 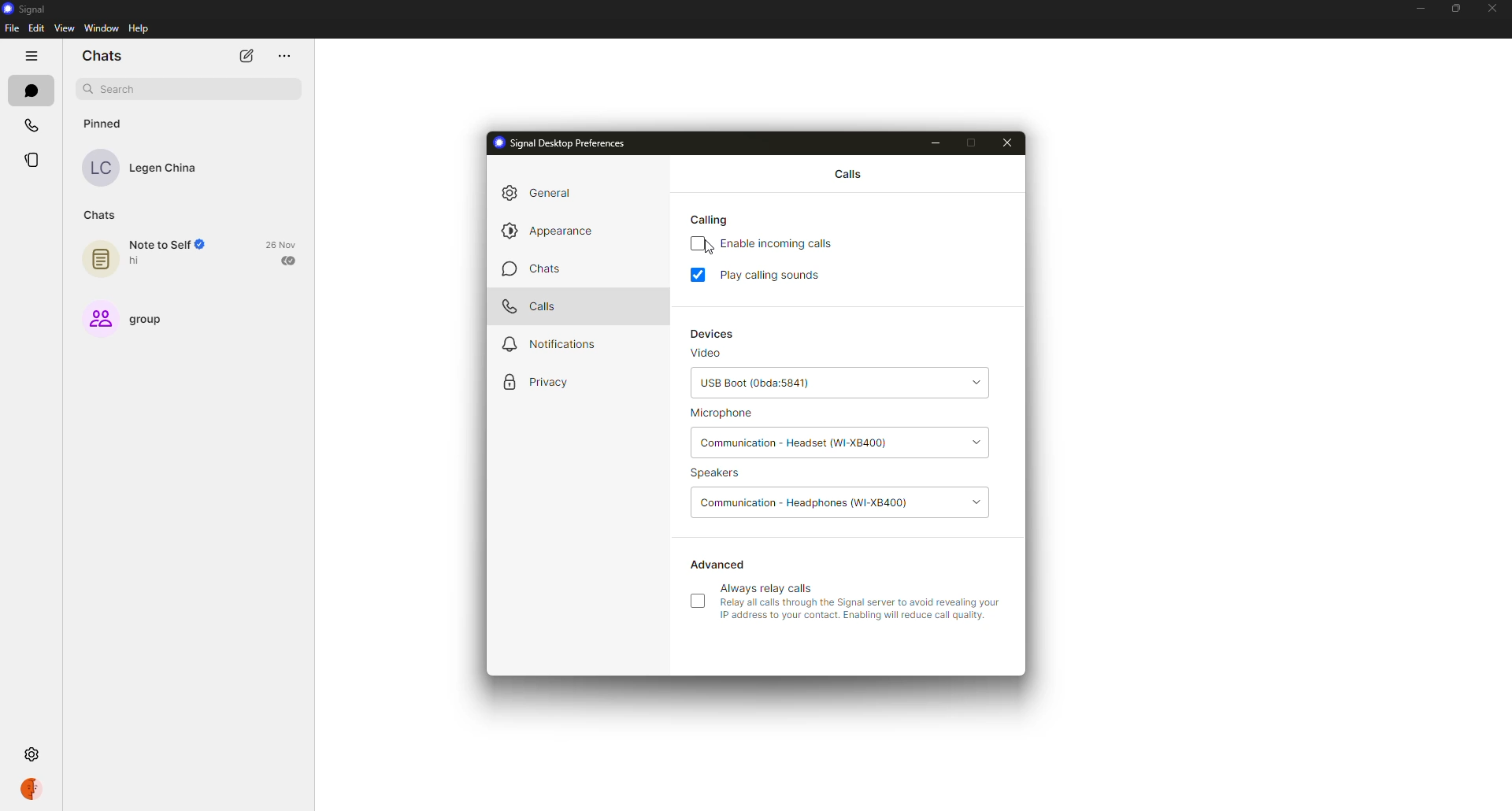 I want to click on drop, so click(x=977, y=500).